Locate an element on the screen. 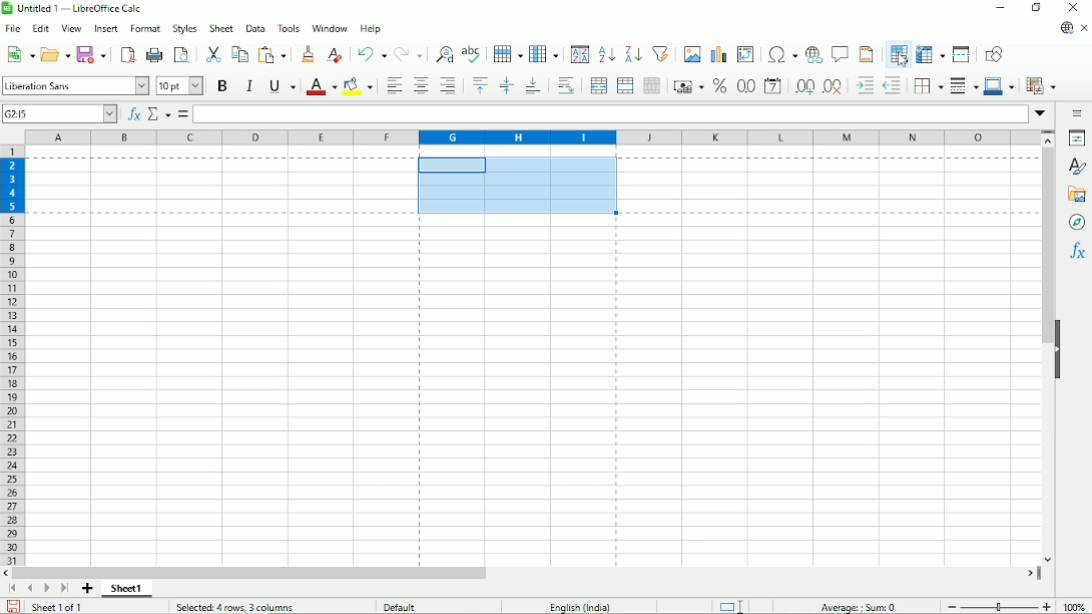 Image resolution: width=1092 pixels, height=614 pixels. Close is located at coordinates (1075, 7).